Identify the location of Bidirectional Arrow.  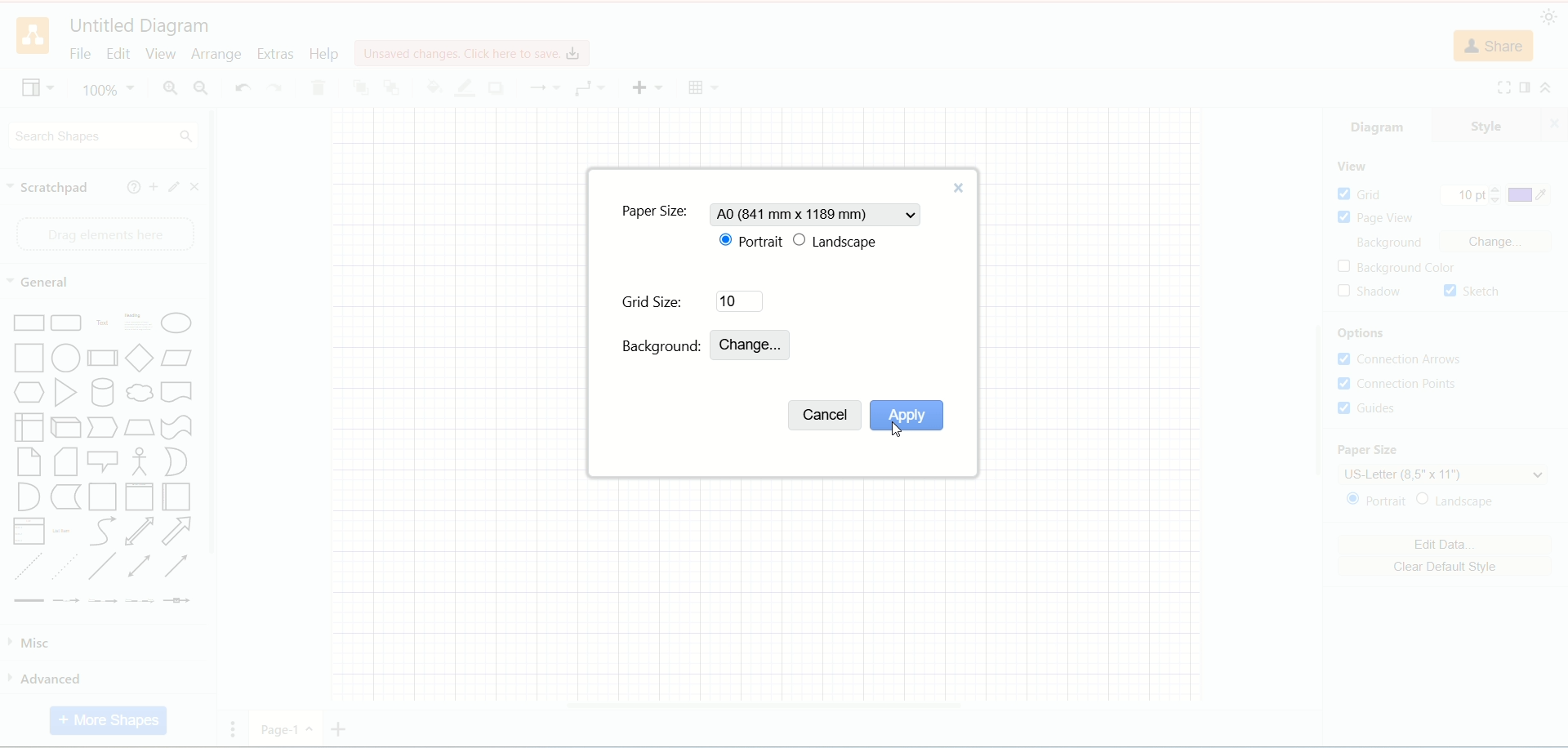
(139, 532).